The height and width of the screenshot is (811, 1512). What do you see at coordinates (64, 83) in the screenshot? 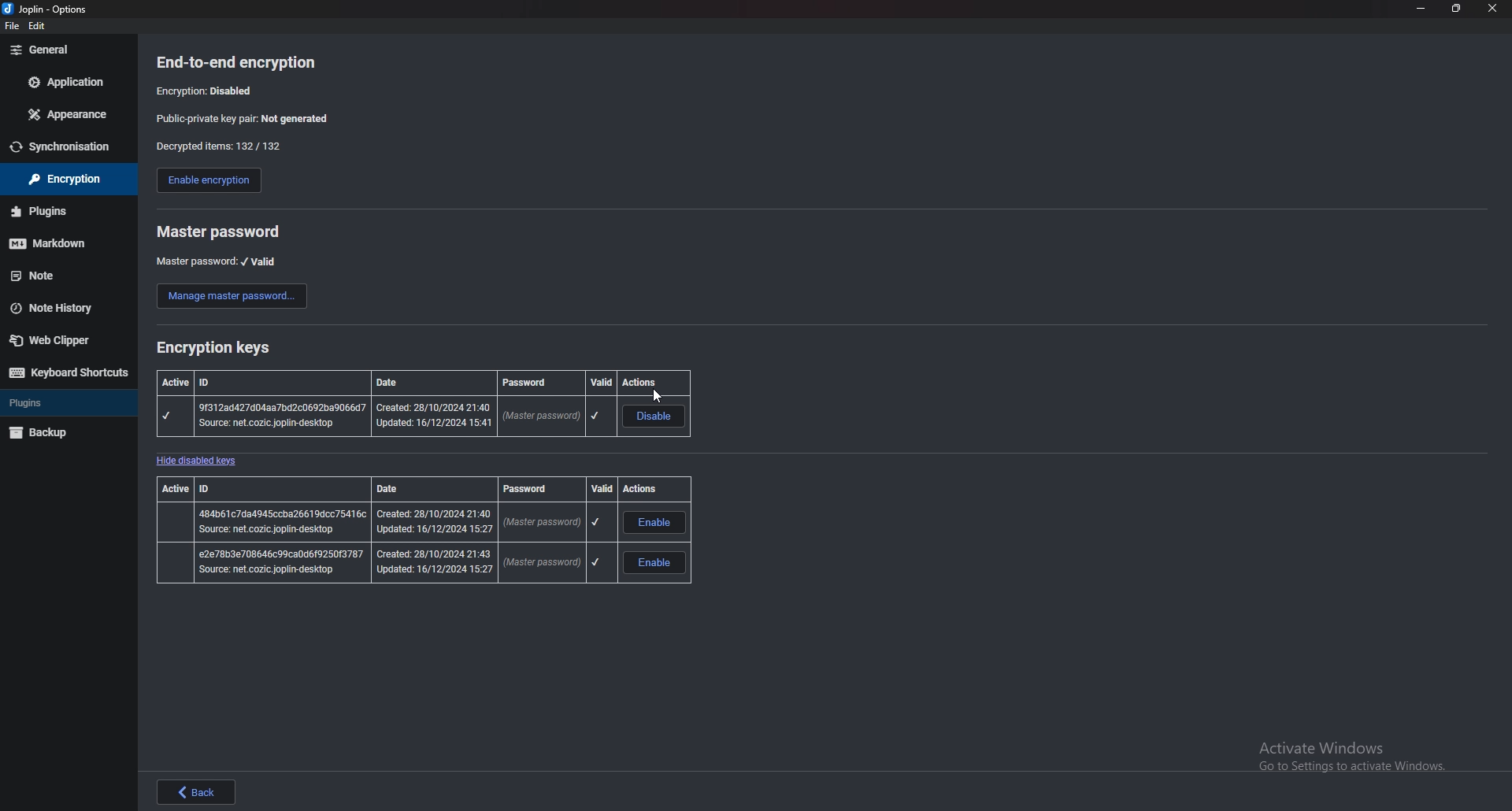
I see `application` at bounding box center [64, 83].